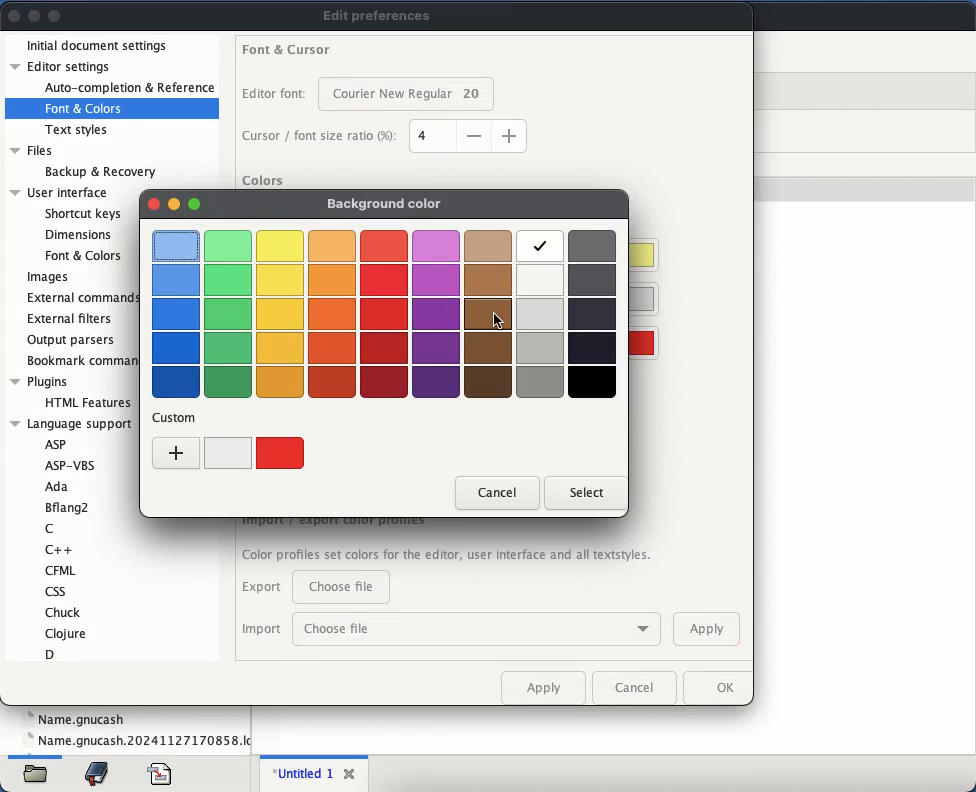 The image size is (976, 792). Describe the element at coordinates (99, 772) in the screenshot. I see `bookmark` at that location.